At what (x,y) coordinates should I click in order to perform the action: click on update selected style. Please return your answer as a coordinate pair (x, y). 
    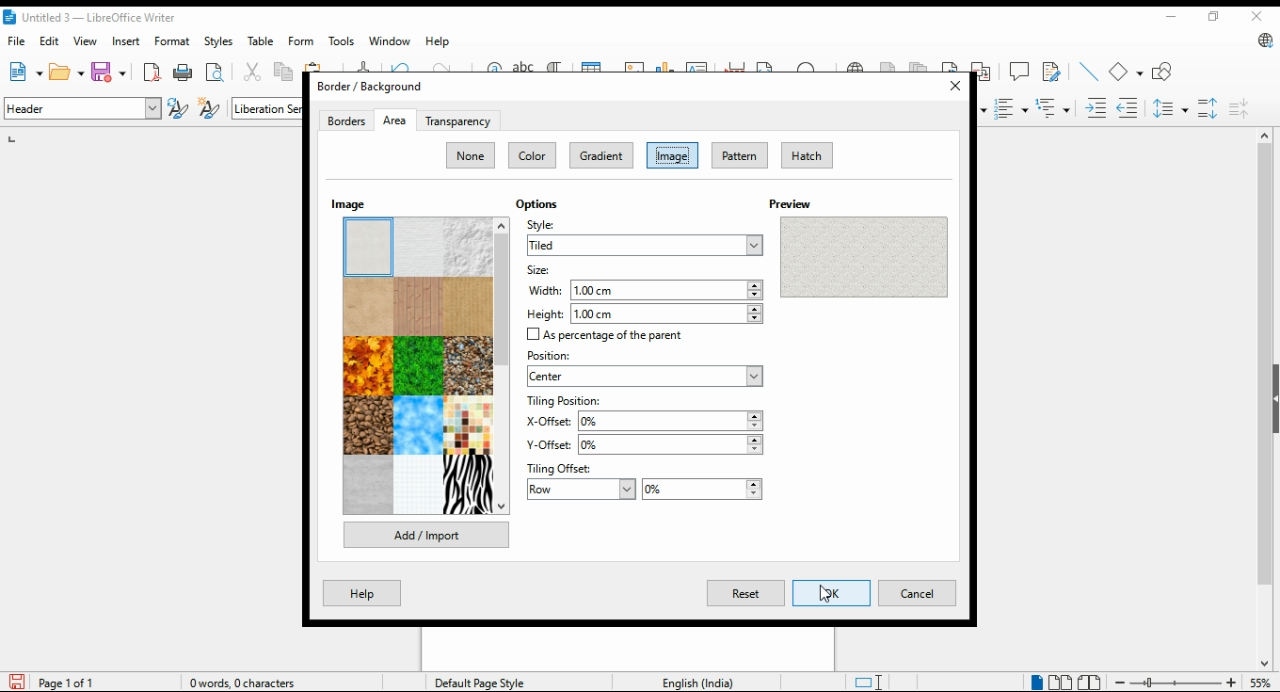
    Looking at the image, I should click on (179, 108).